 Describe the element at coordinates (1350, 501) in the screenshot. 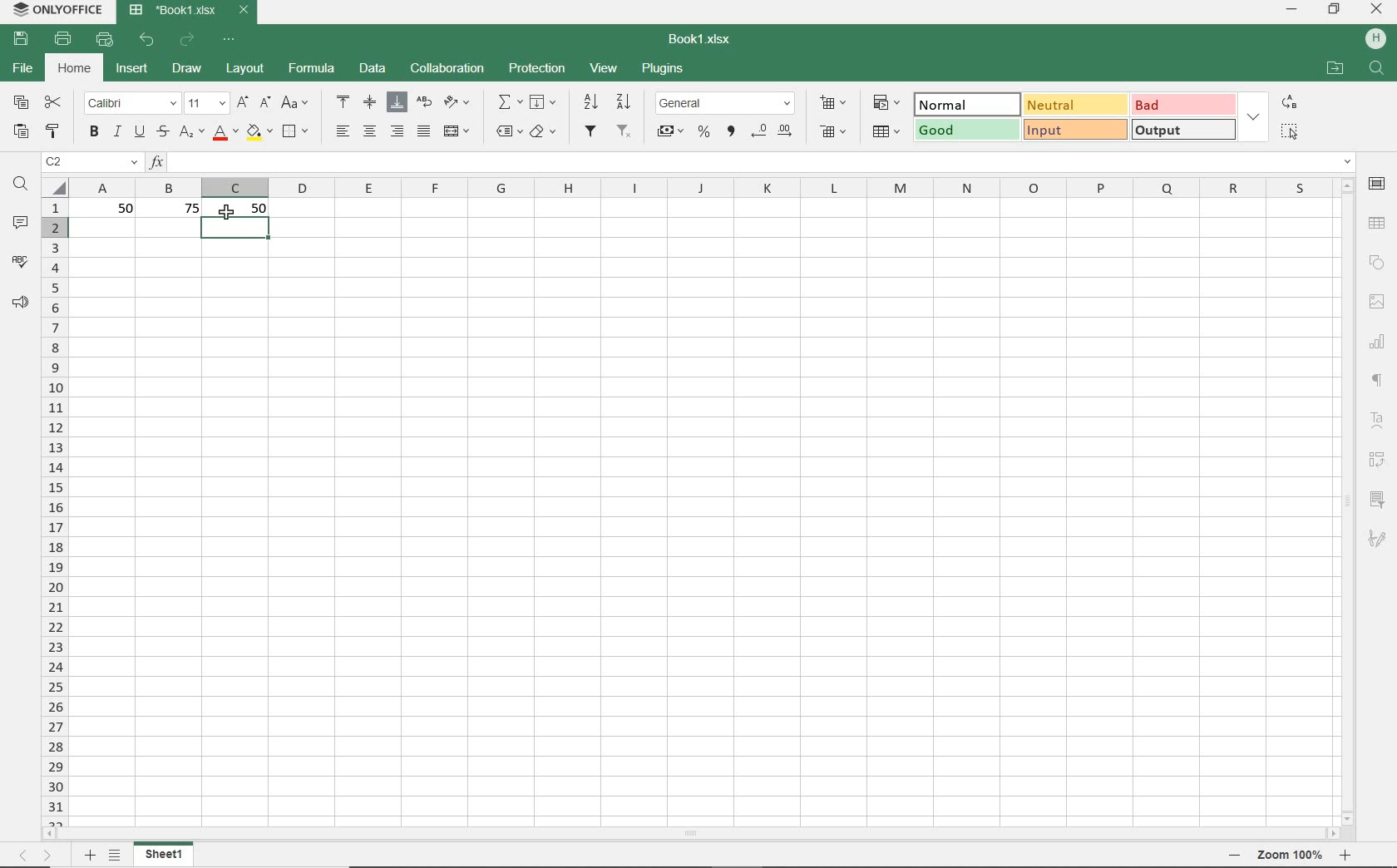

I see `scrollbar` at that location.